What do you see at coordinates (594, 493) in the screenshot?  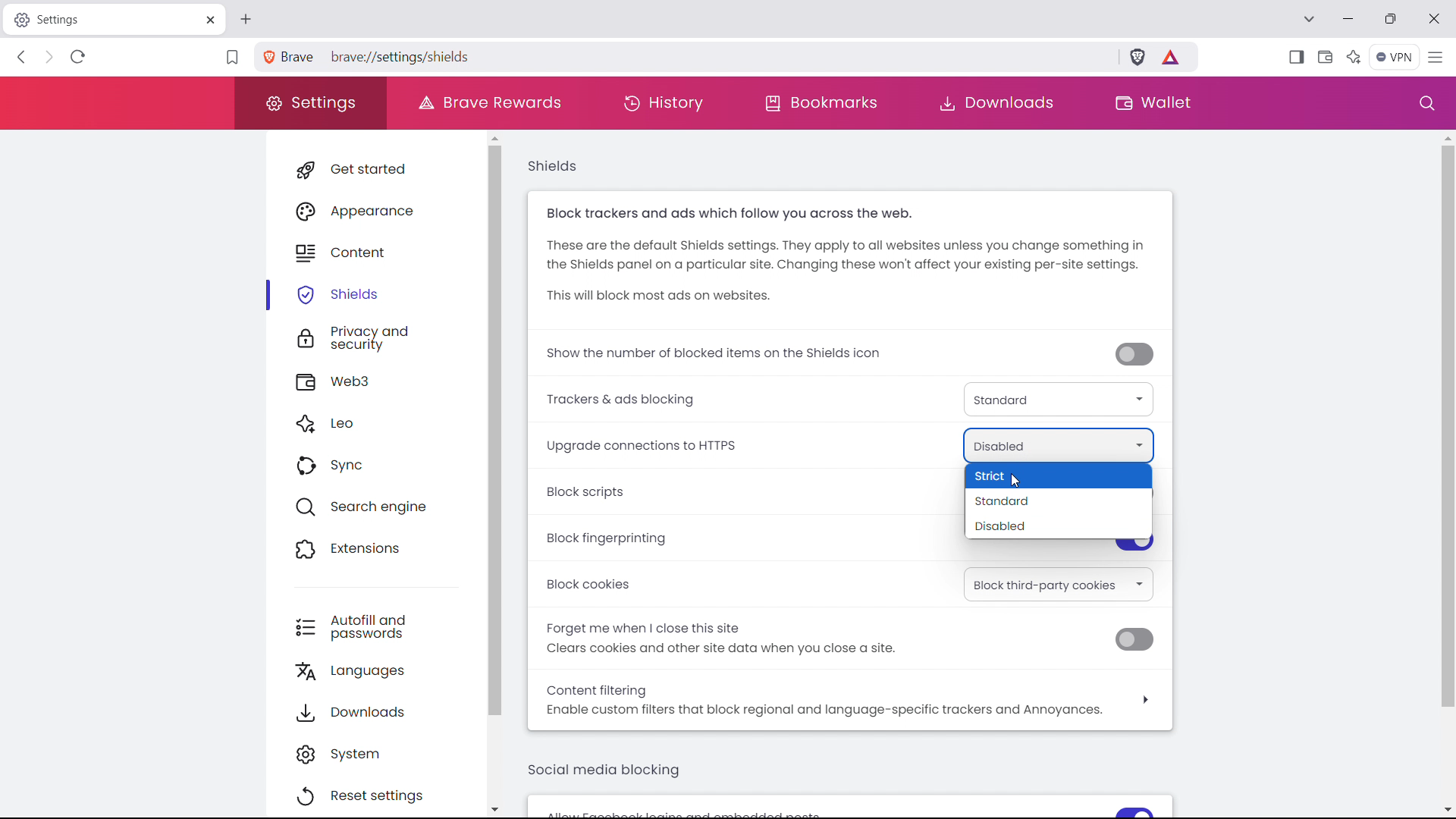 I see `block scripts` at bounding box center [594, 493].